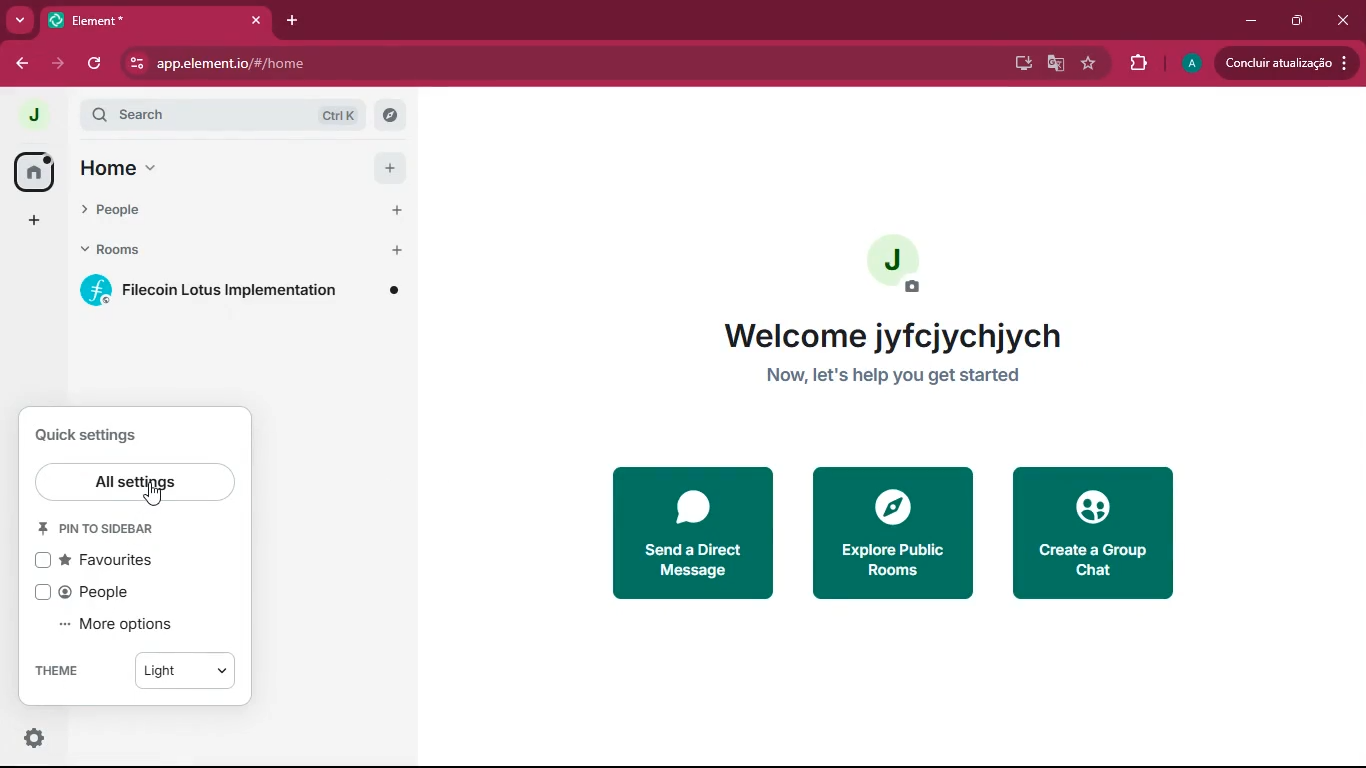  What do you see at coordinates (32, 112) in the screenshot?
I see `profile picture` at bounding box center [32, 112].